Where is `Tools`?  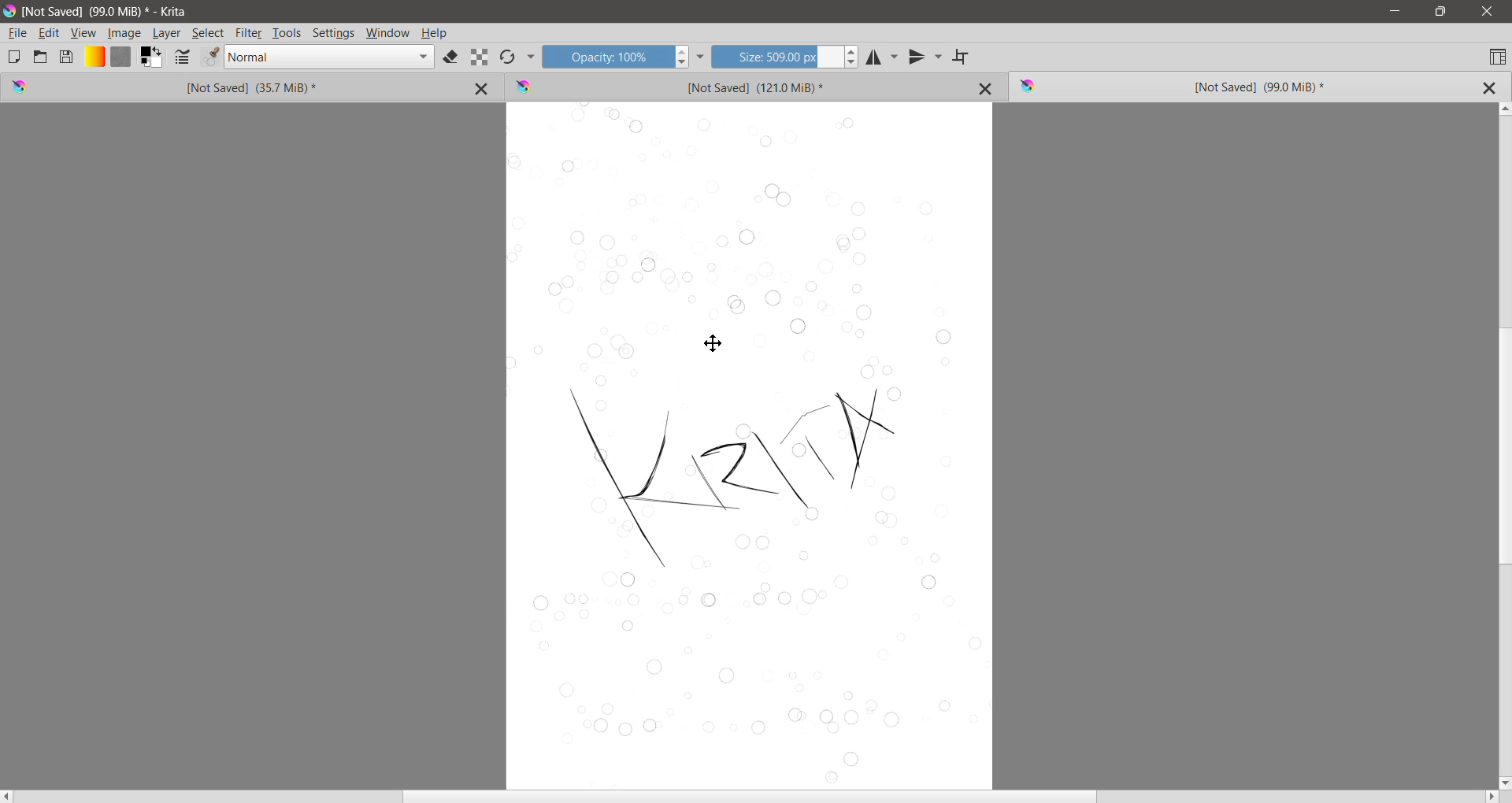
Tools is located at coordinates (287, 34).